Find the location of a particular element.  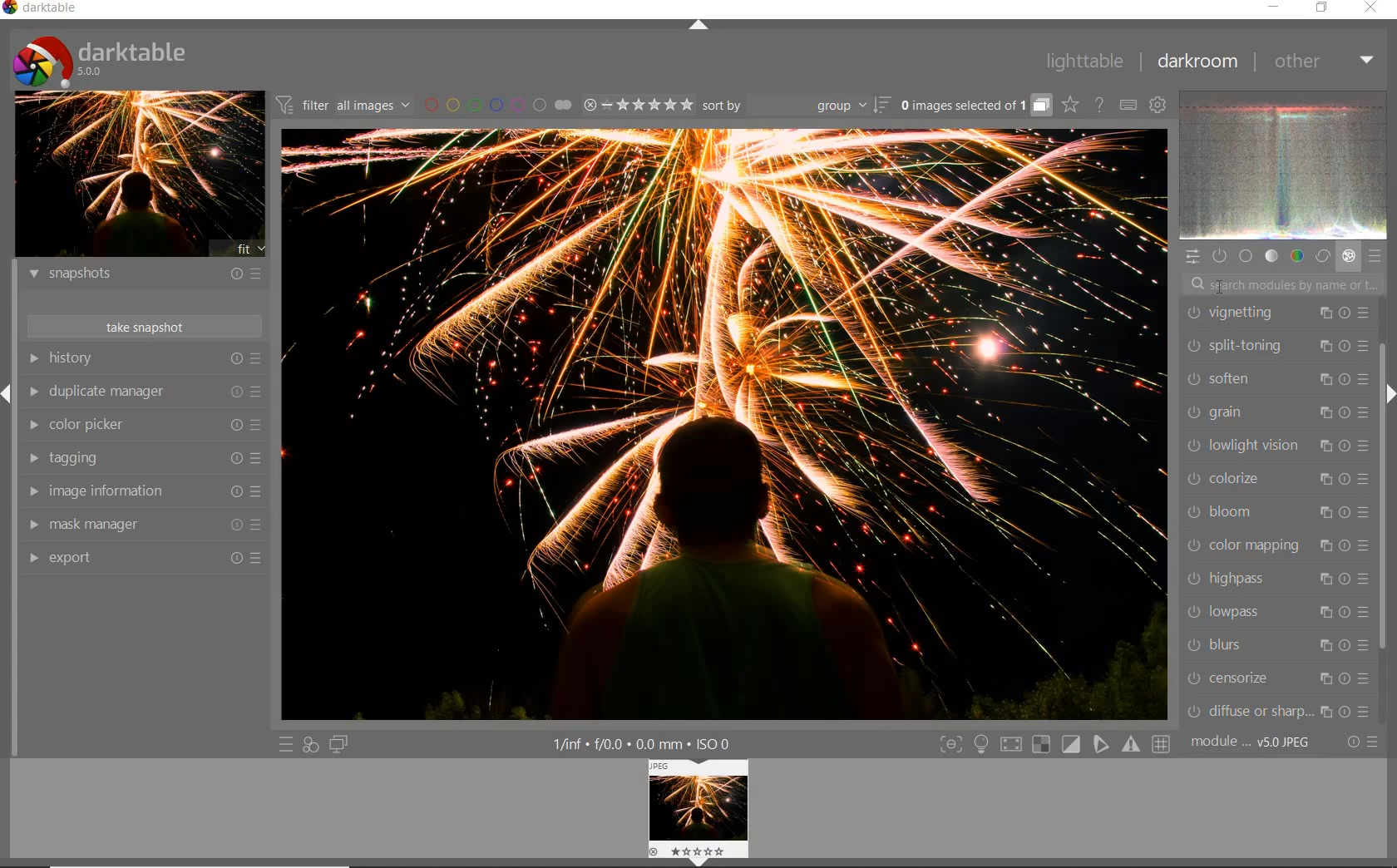

soften is located at coordinates (1276, 382).